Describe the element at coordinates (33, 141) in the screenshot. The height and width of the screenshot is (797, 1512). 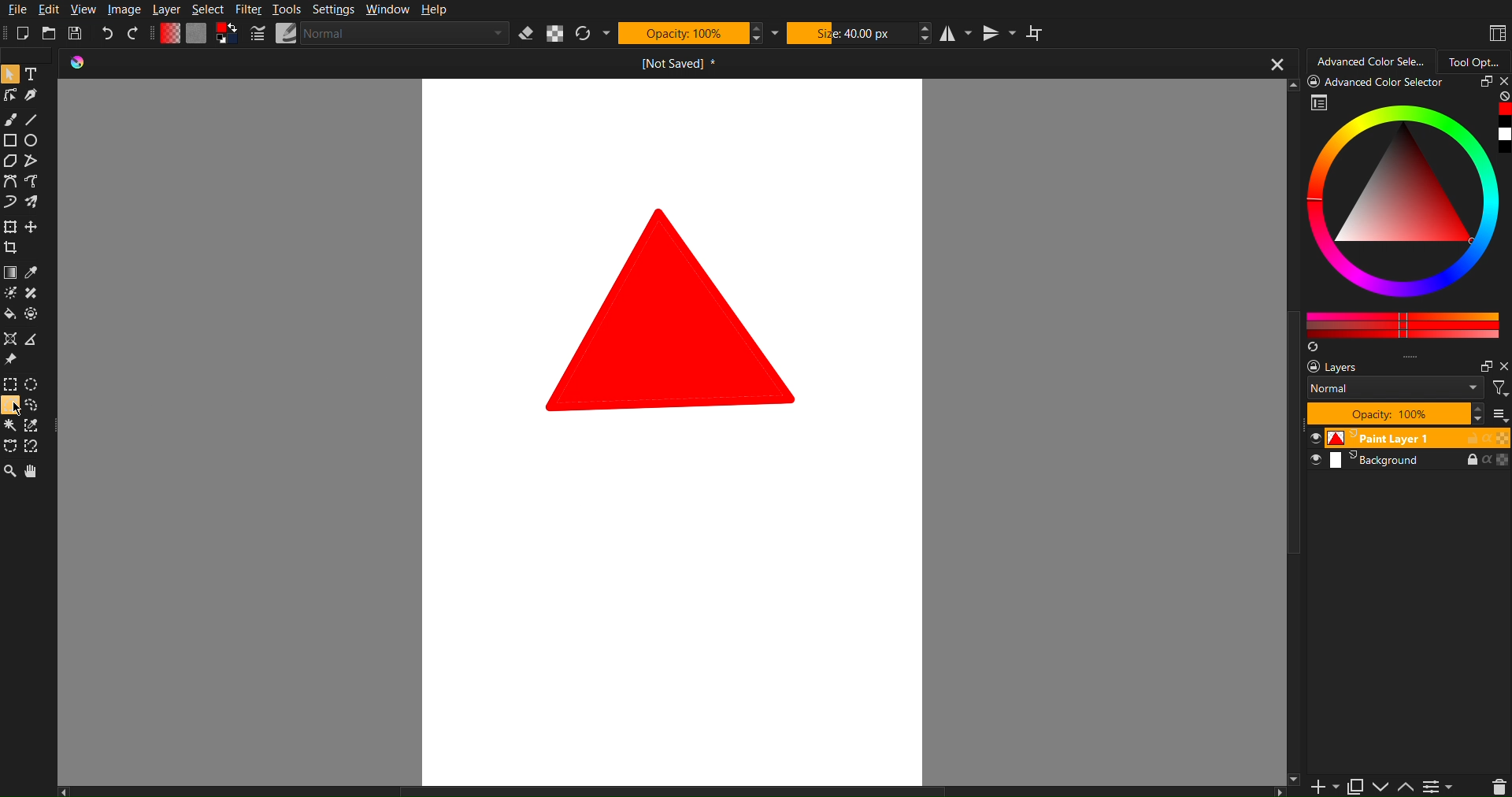
I see `Circle` at that location.